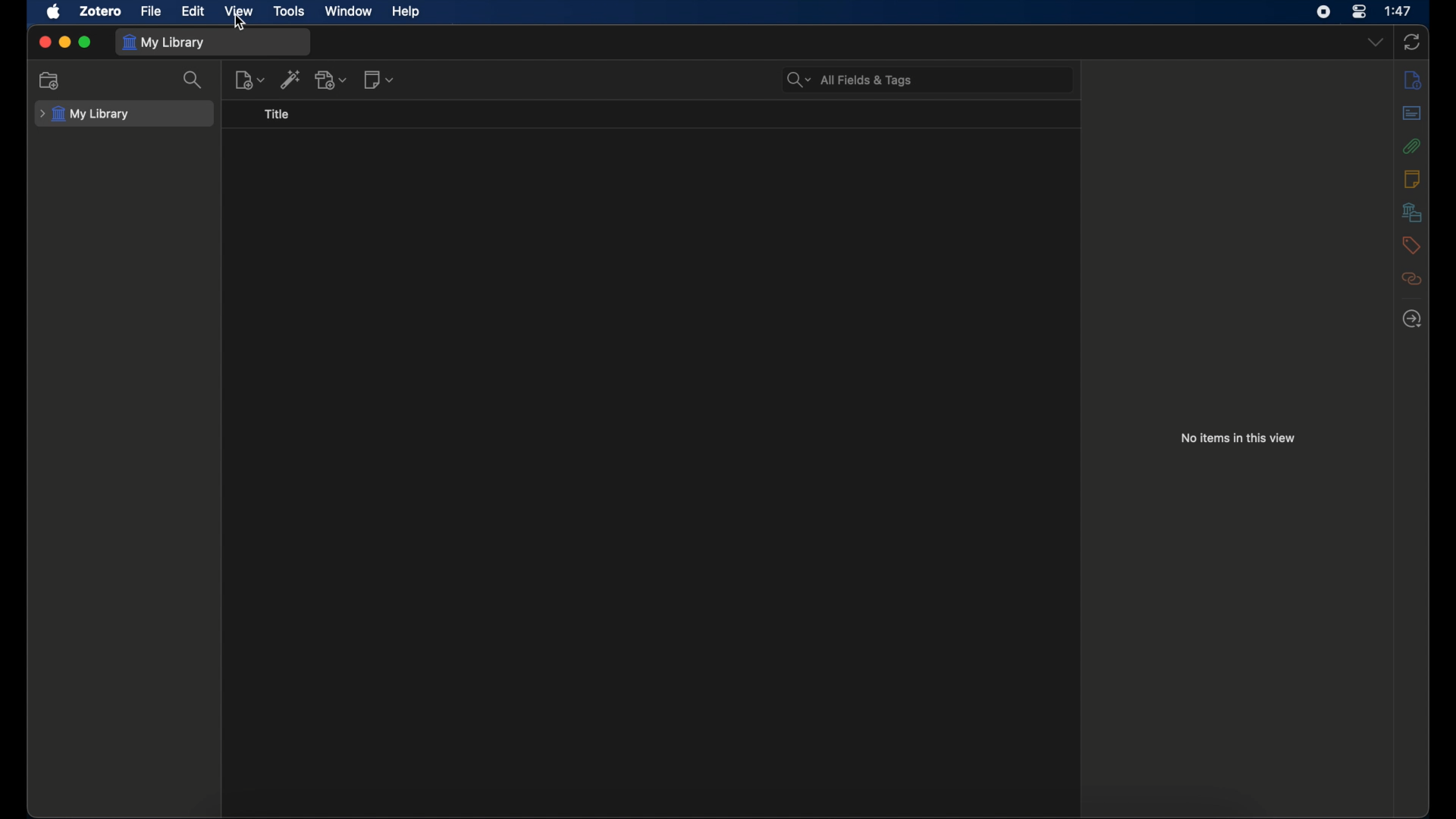 This screenshot has width=1456, height=819. I want to click on abstract, so click(1410, 113).